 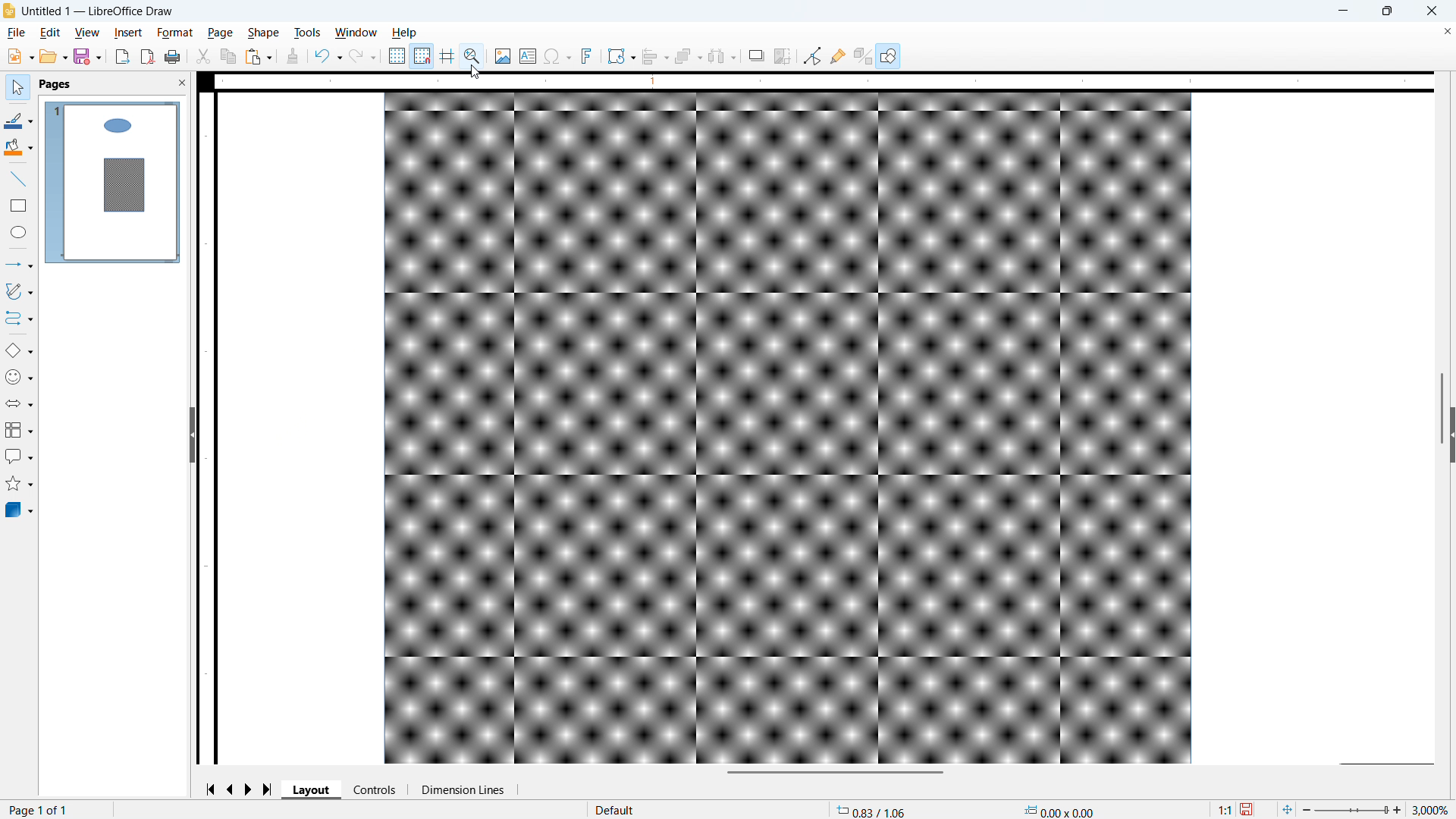 I want to click on Close document , so click(x=1445, y=32).